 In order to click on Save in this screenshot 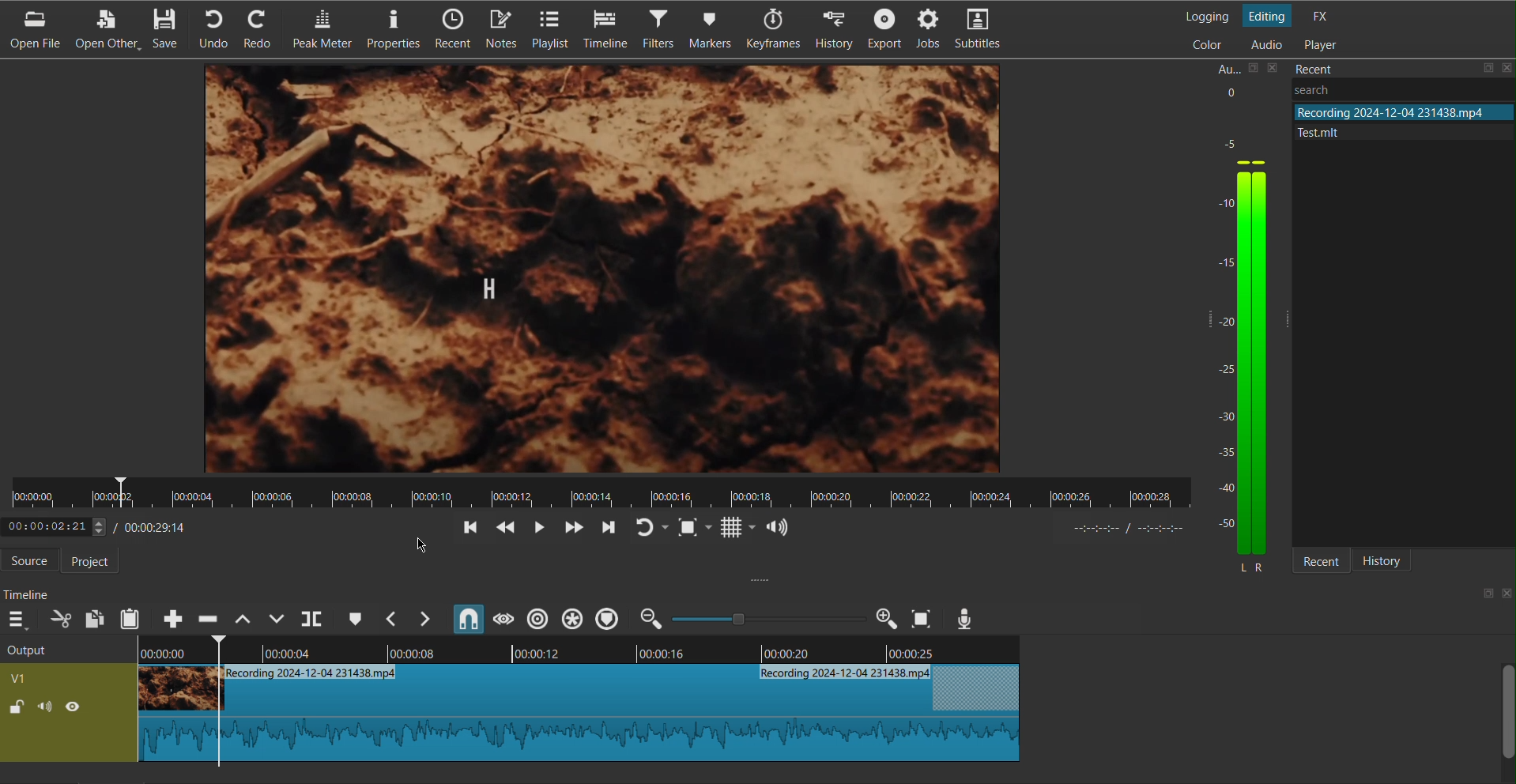, I will do `click(169, 28)`.